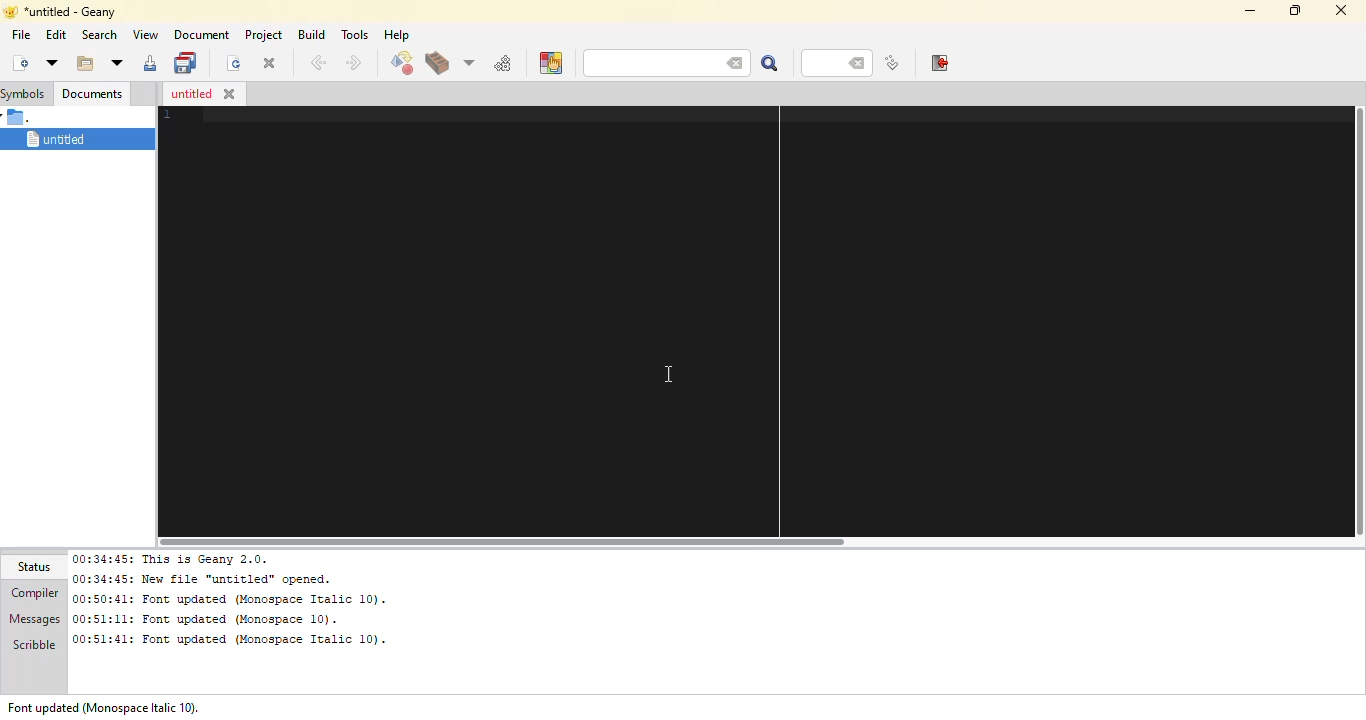 The height and width of the screenshot is (720, 1366). Describe the element at coordinates (97, 34) in the screenshot. I see `search` at that location.